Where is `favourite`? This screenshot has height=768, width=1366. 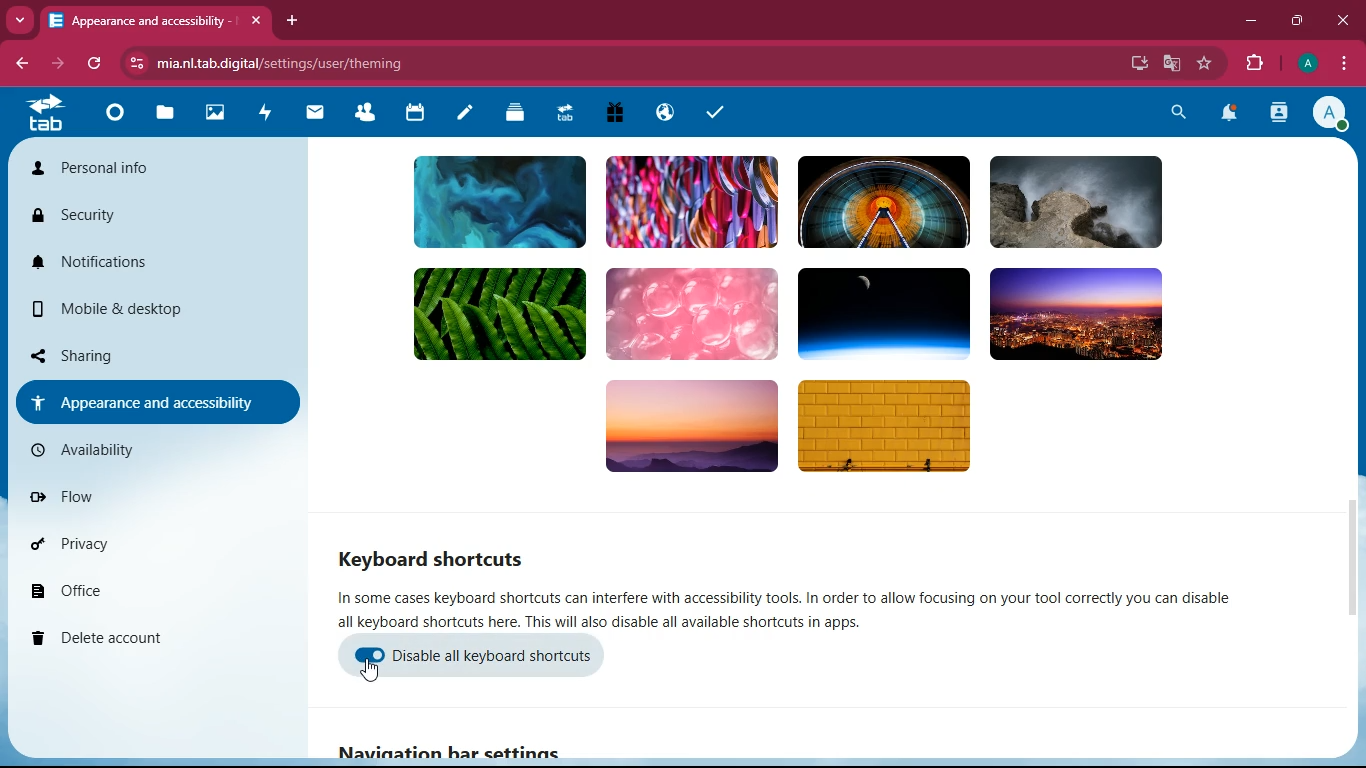 favourite is located at coordinates (1205, 64).